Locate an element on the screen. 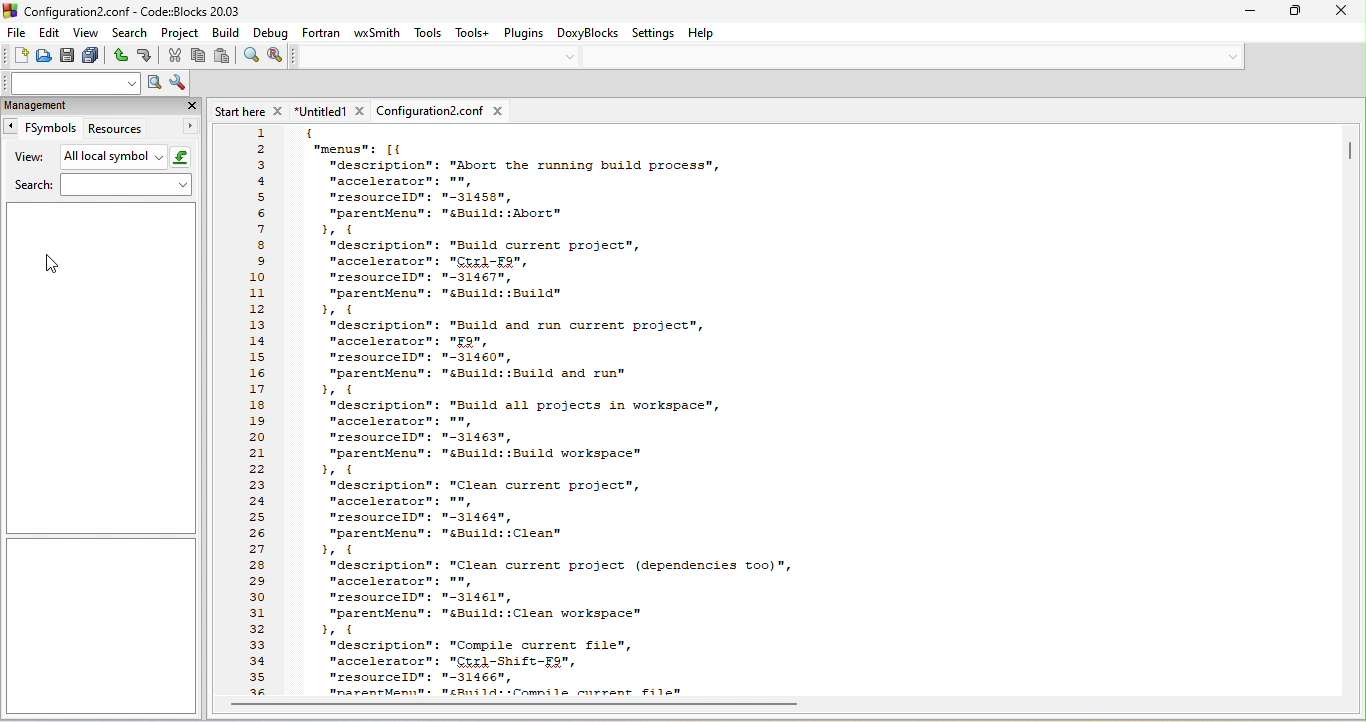 This screenshot has height=722, width=1366. find is located at coordinates (252, 57).